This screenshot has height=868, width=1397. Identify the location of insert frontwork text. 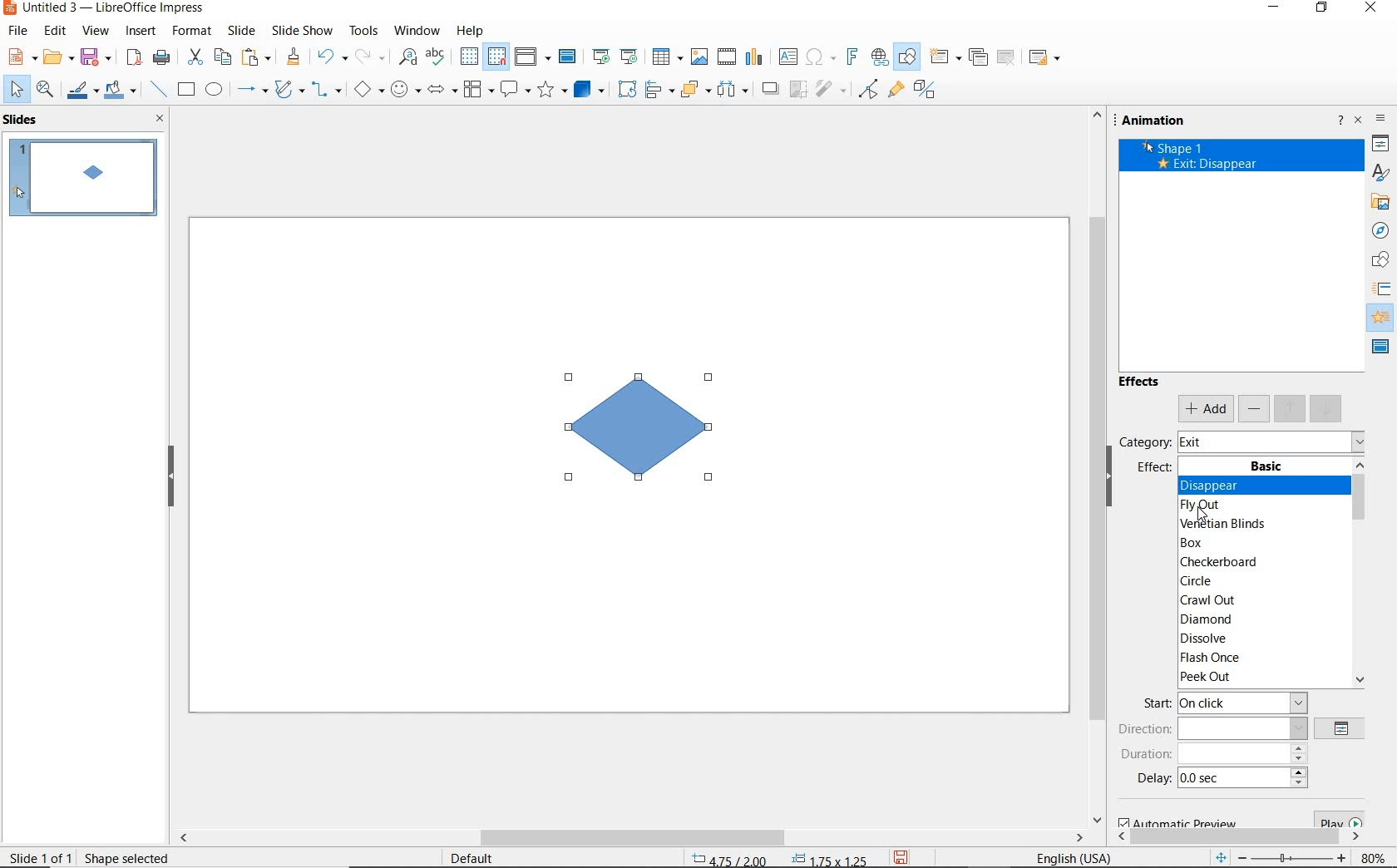
(852, 57).